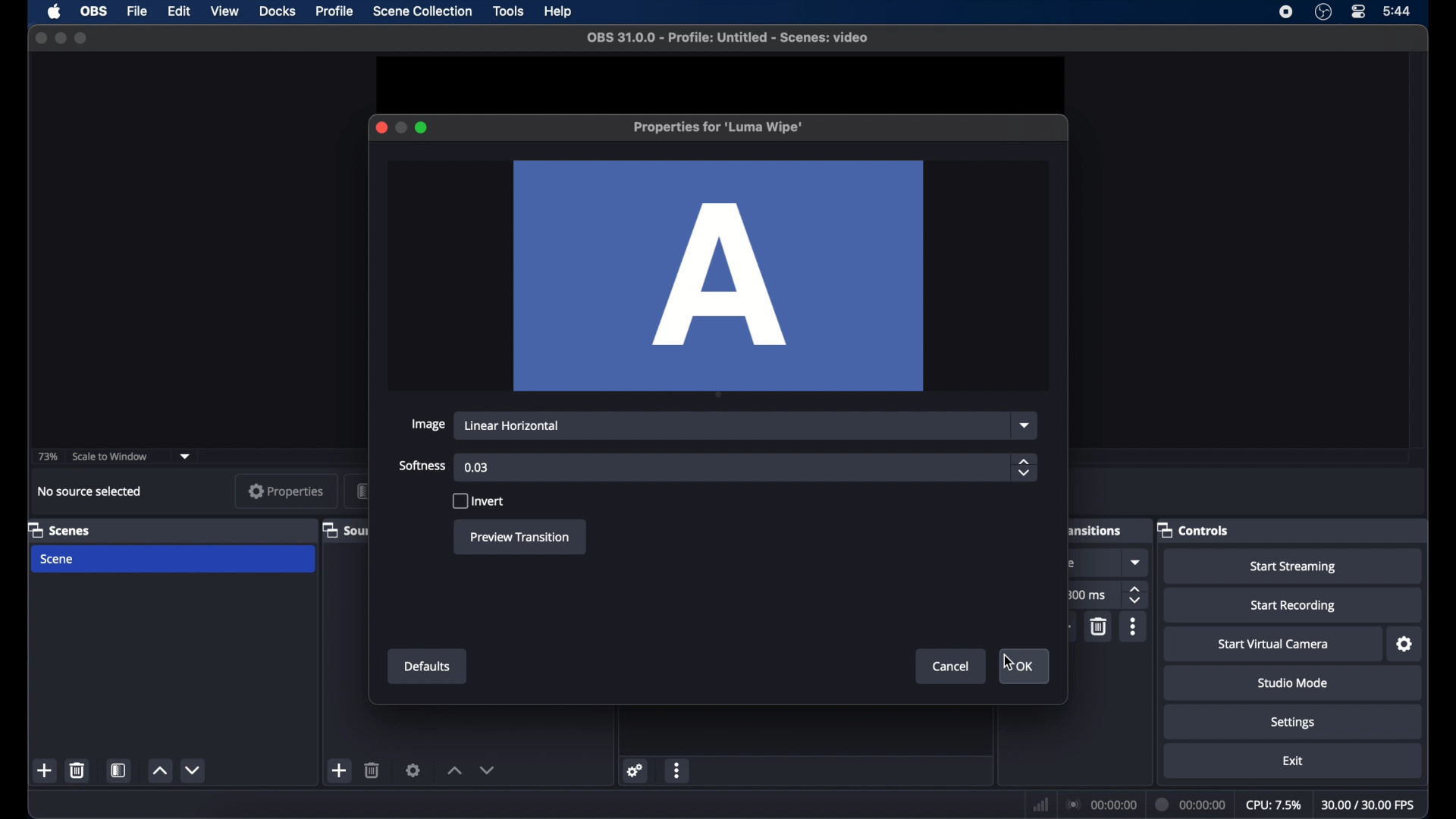  Describe the element at coordinates (1191, 805) in the screenshot. I see `duration` at that location.